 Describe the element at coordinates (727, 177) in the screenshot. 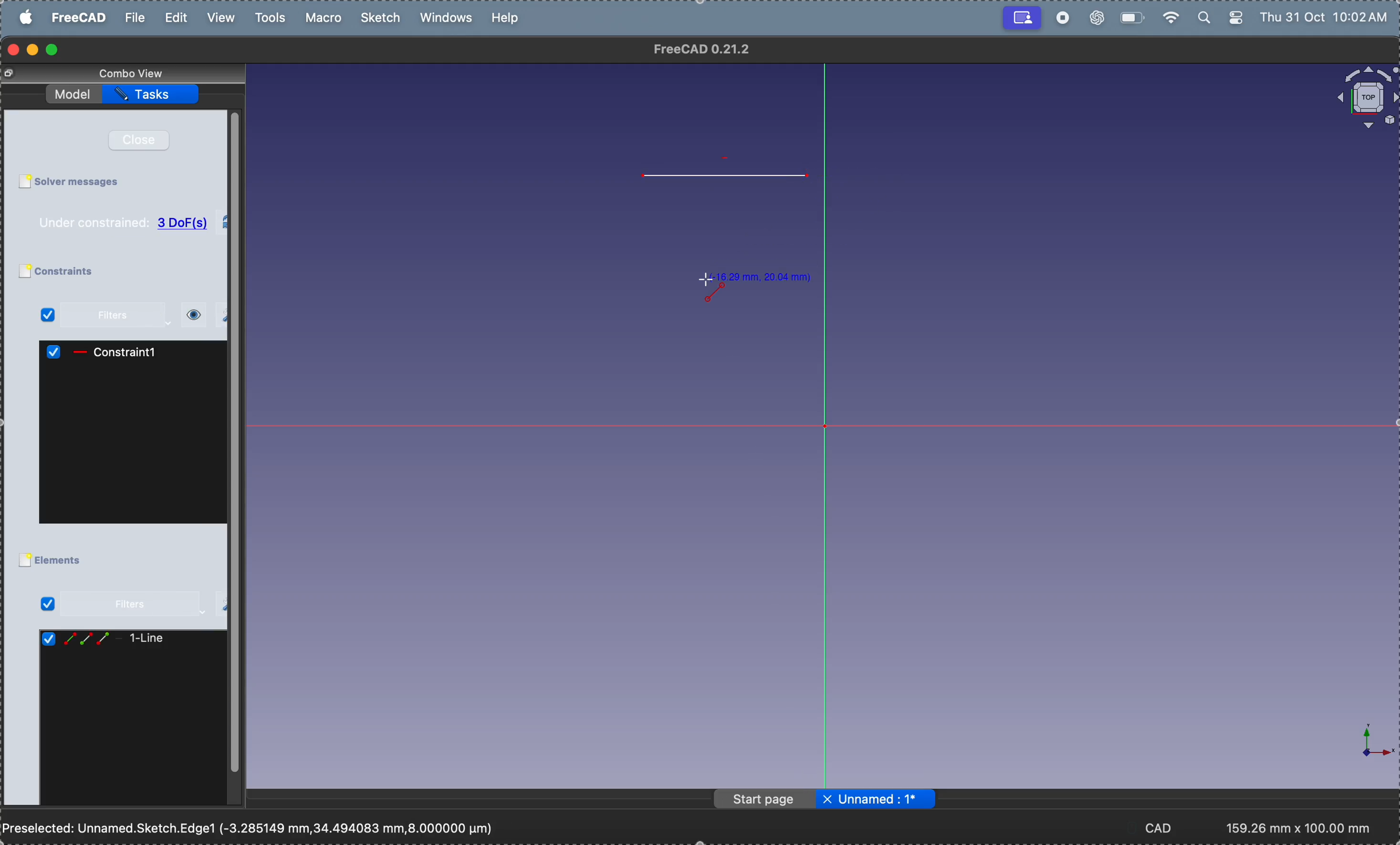

I see `line` at that location.